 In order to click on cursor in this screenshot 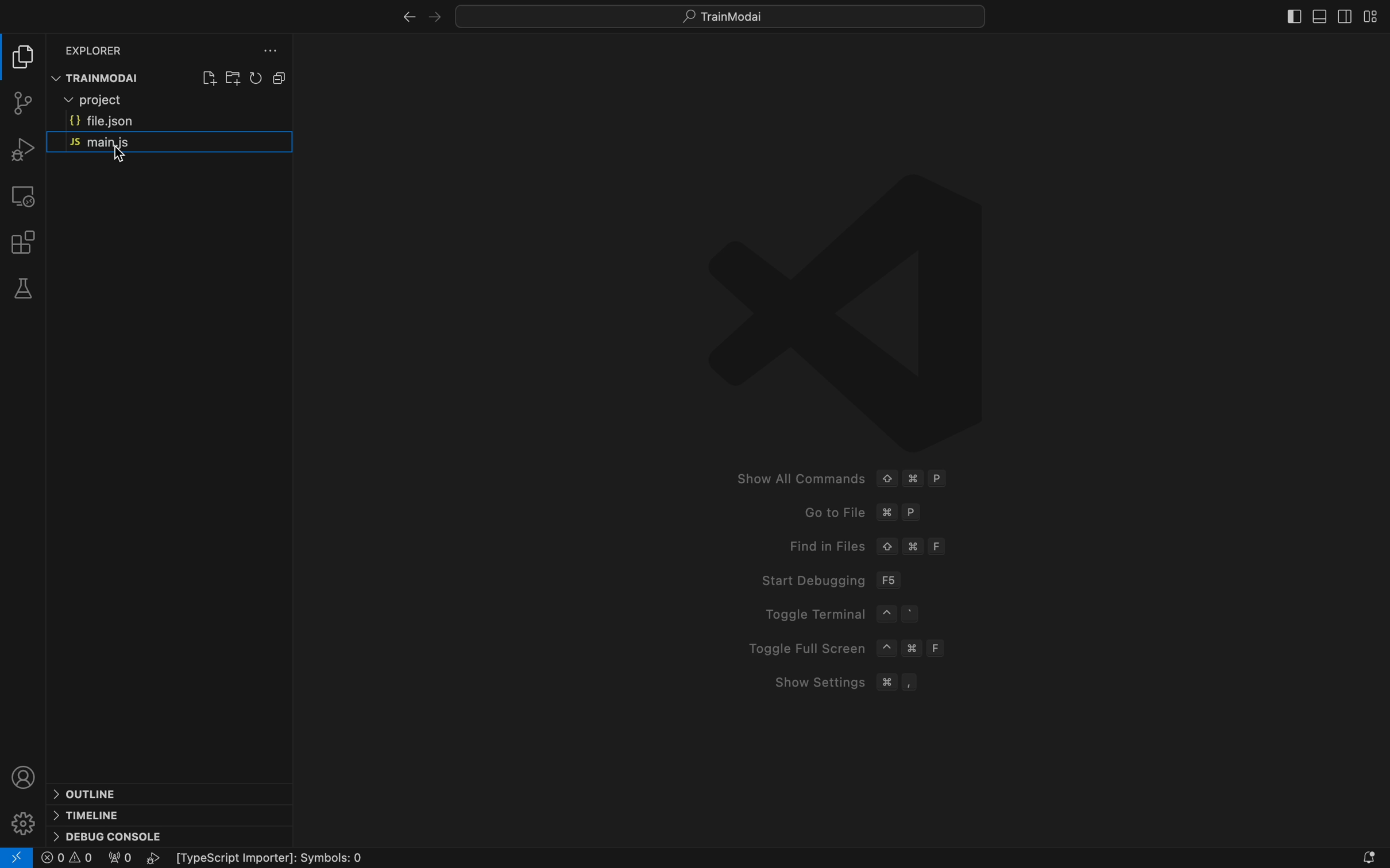, I will do `click(118, 153)`.